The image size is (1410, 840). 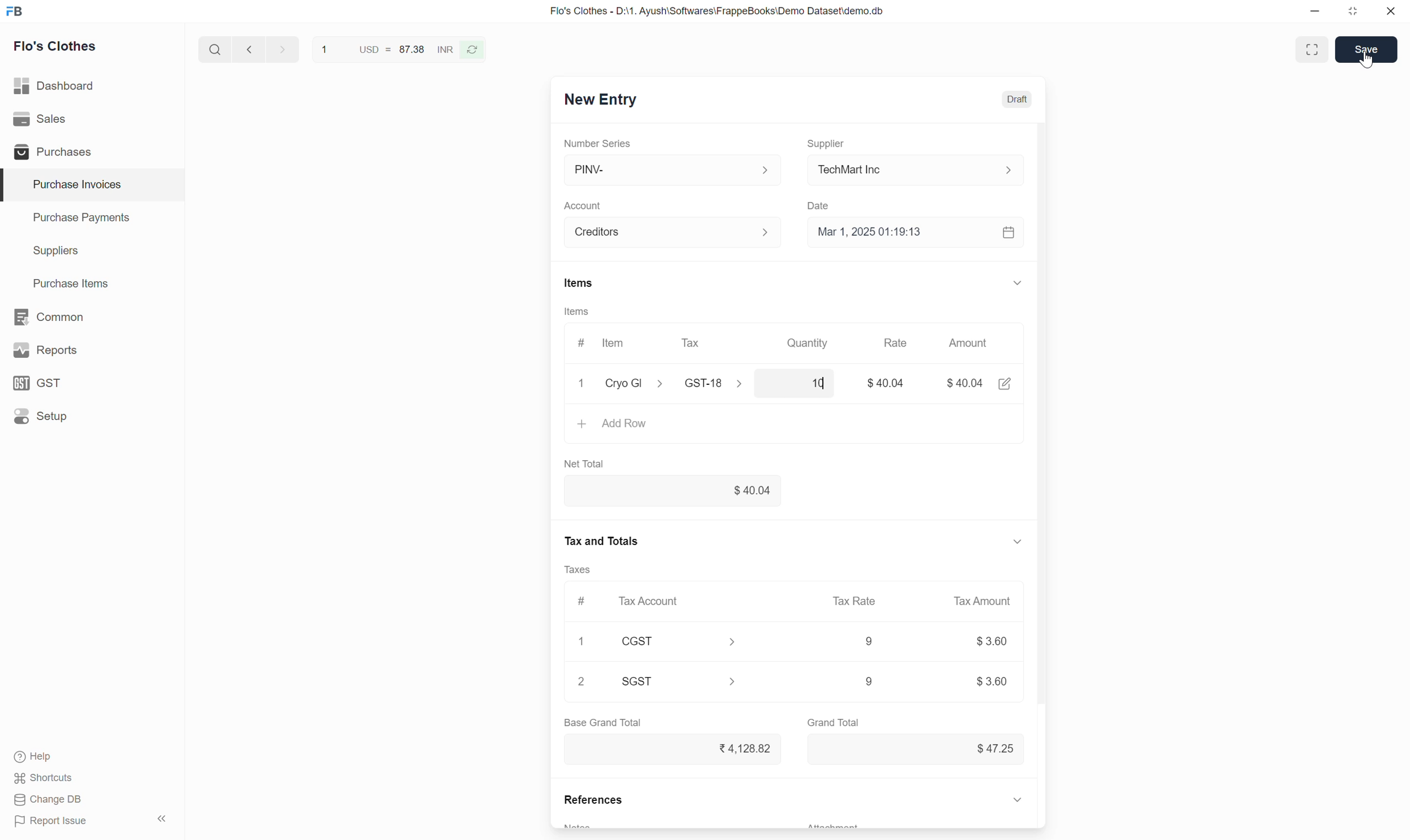 I want to click on 9, so click(x=852, y=682).